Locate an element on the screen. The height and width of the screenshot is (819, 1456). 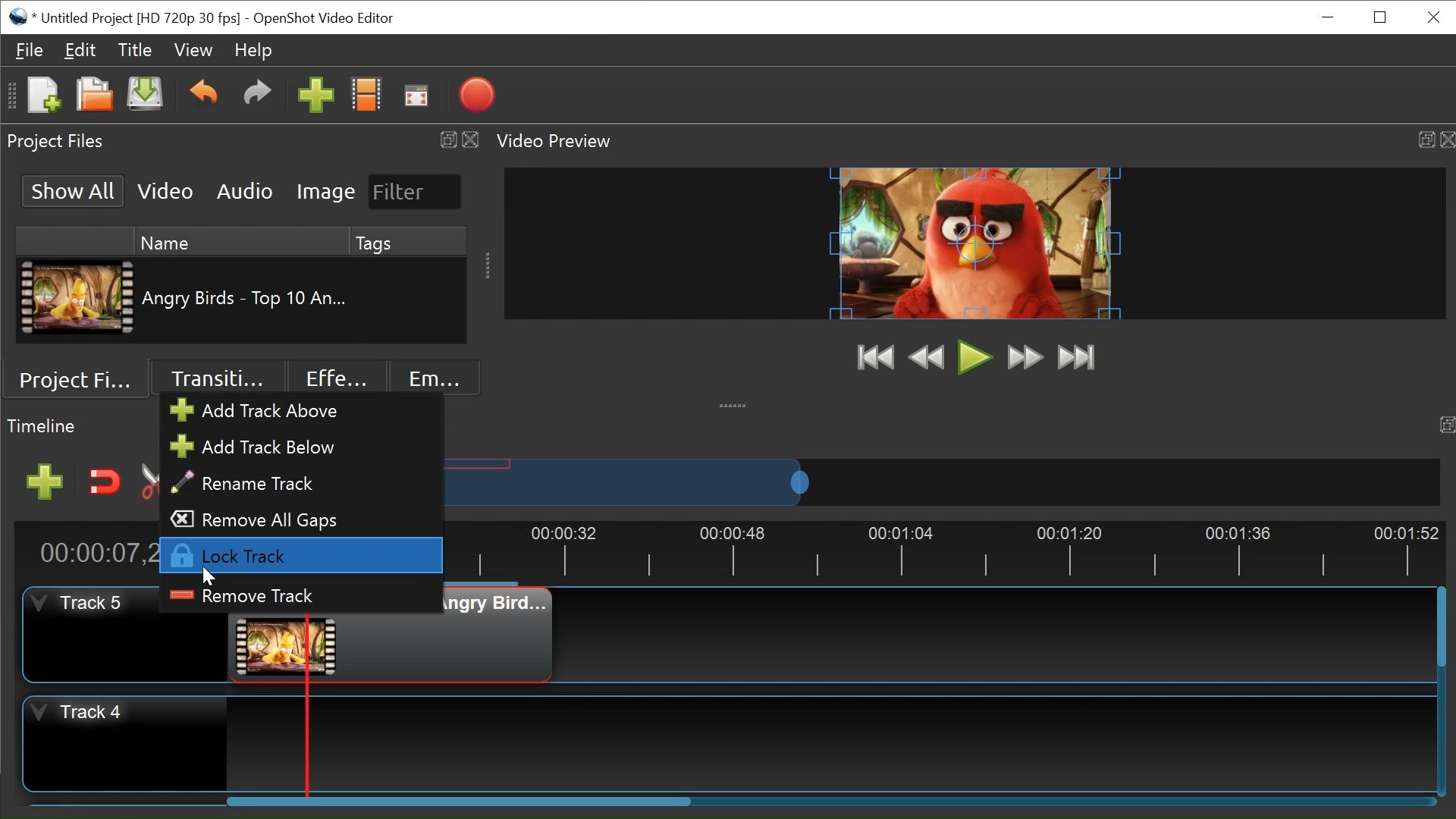
minimize is located at coordinates (1330, 17).